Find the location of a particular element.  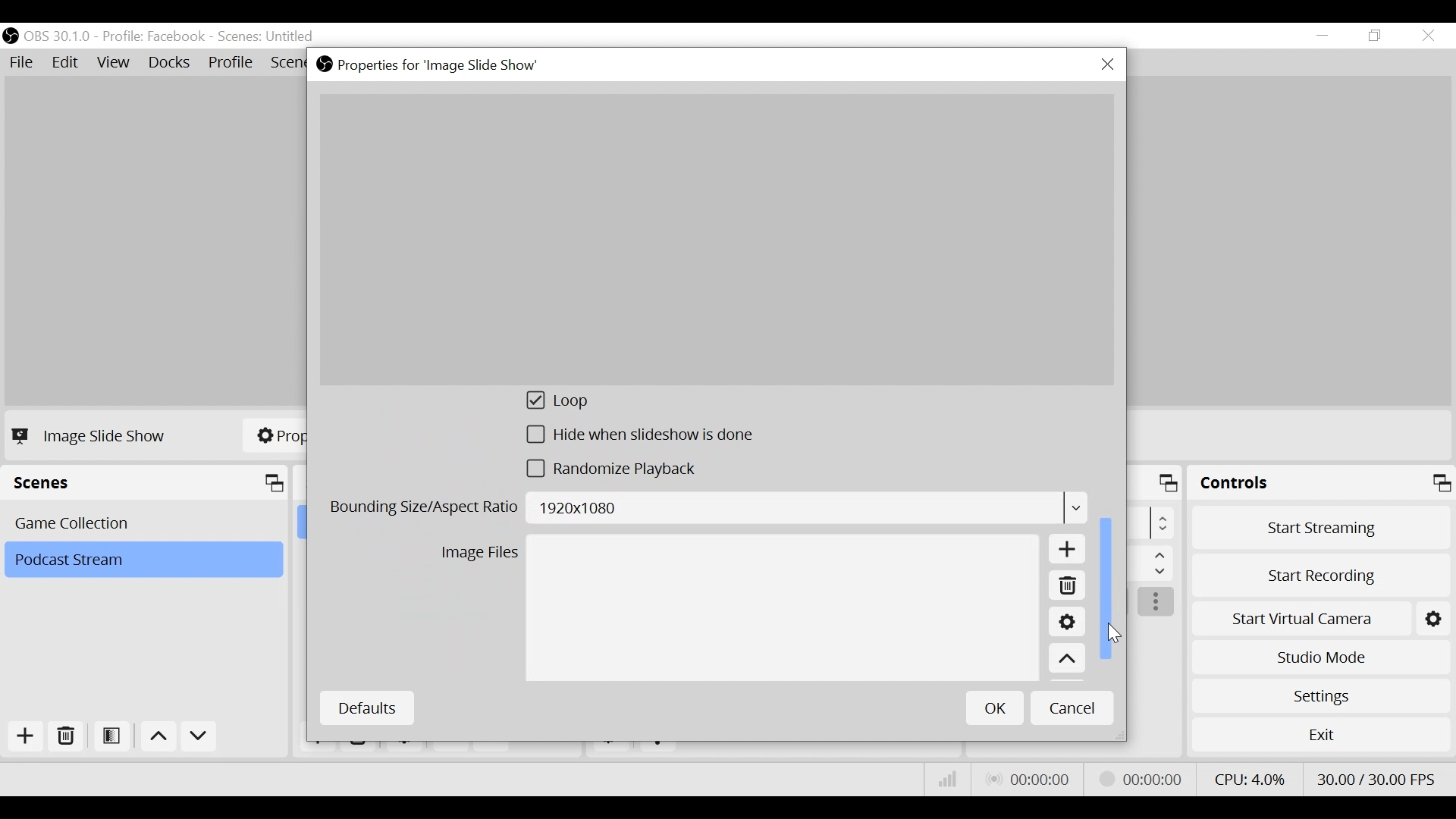

Image Slide Show is located at coordinates (93, 435).